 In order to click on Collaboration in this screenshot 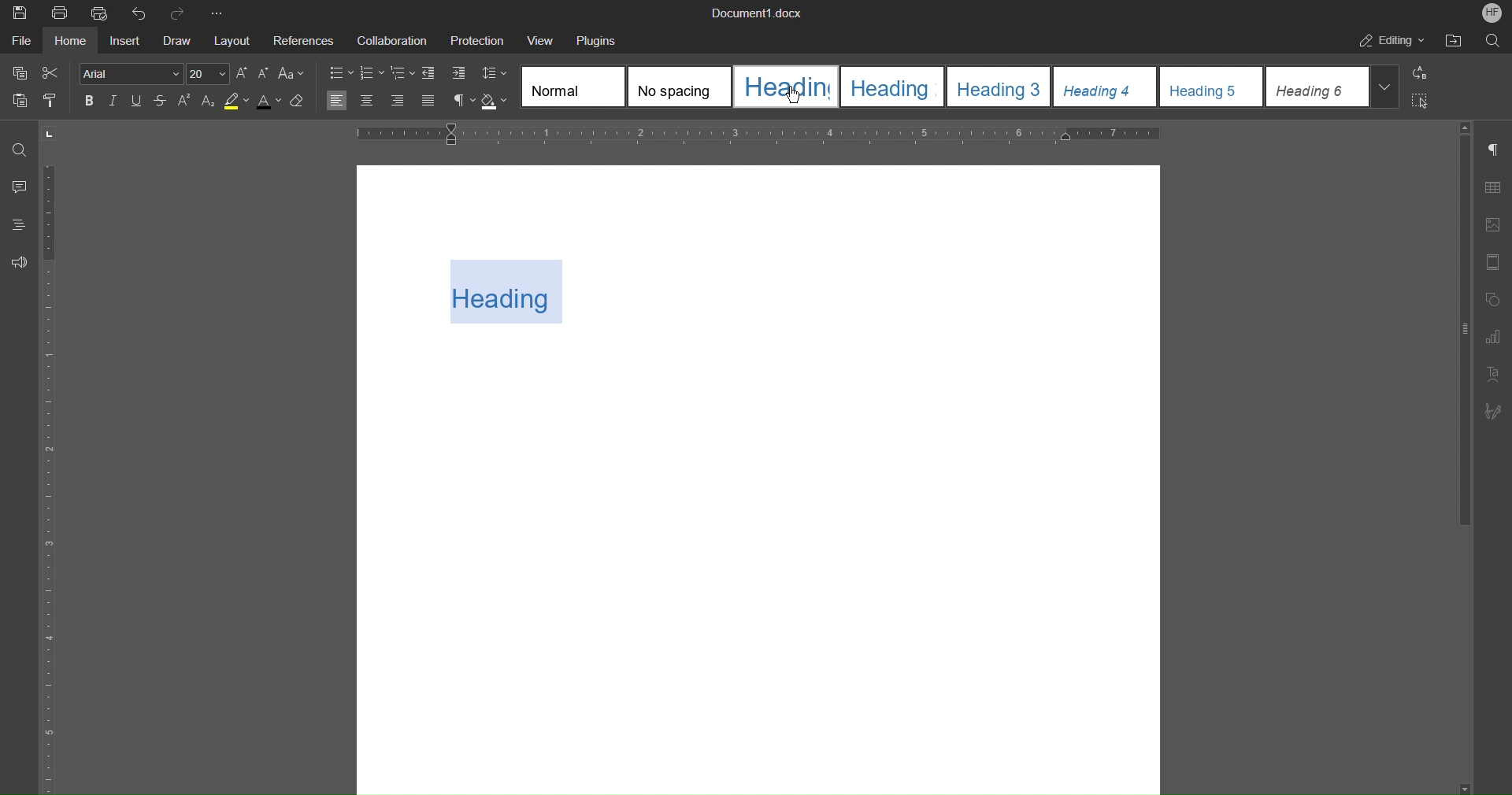, I will do `click(392, 39)`.